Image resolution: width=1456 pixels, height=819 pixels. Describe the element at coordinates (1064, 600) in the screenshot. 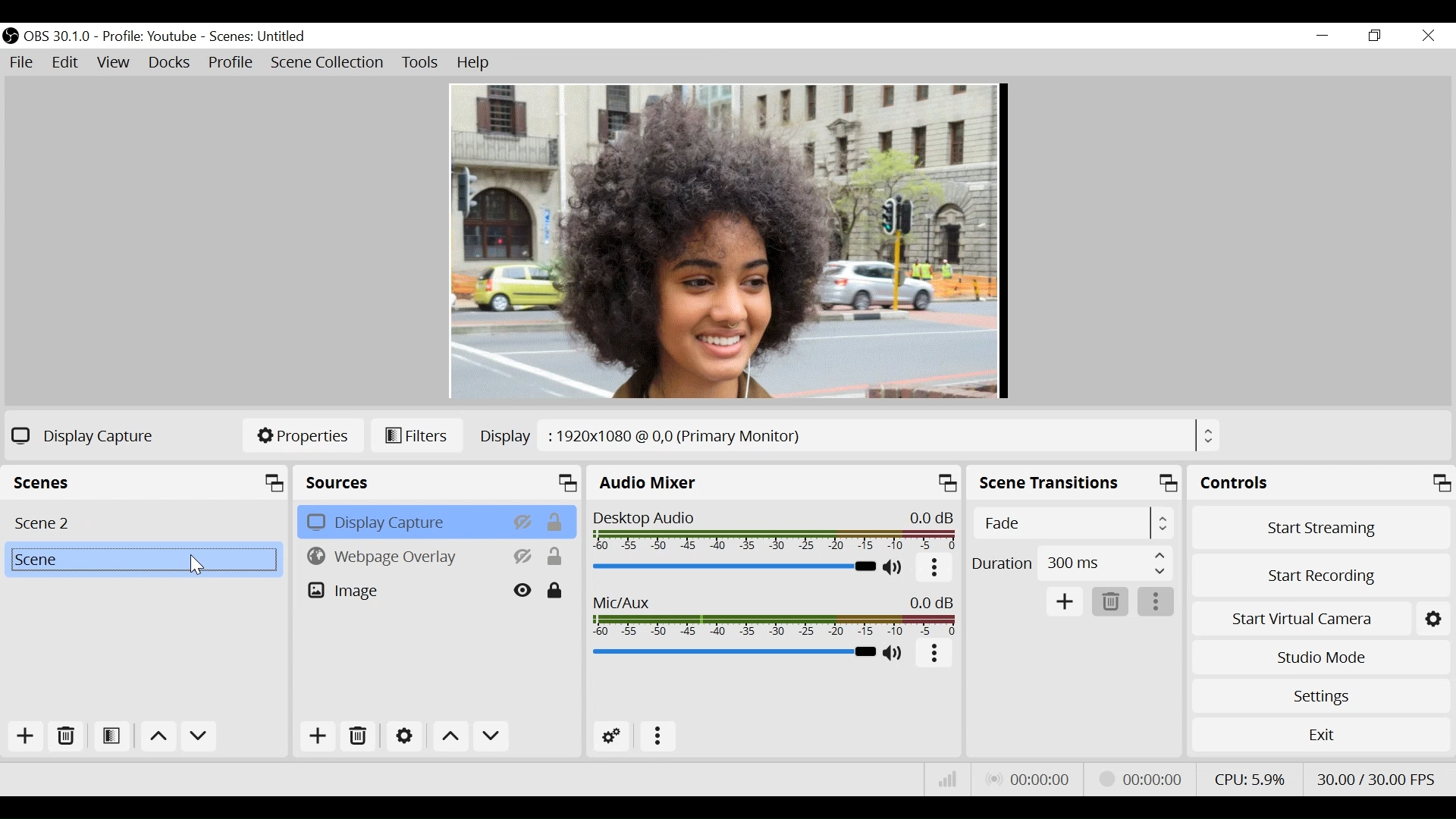

I see `Add ` at that location.